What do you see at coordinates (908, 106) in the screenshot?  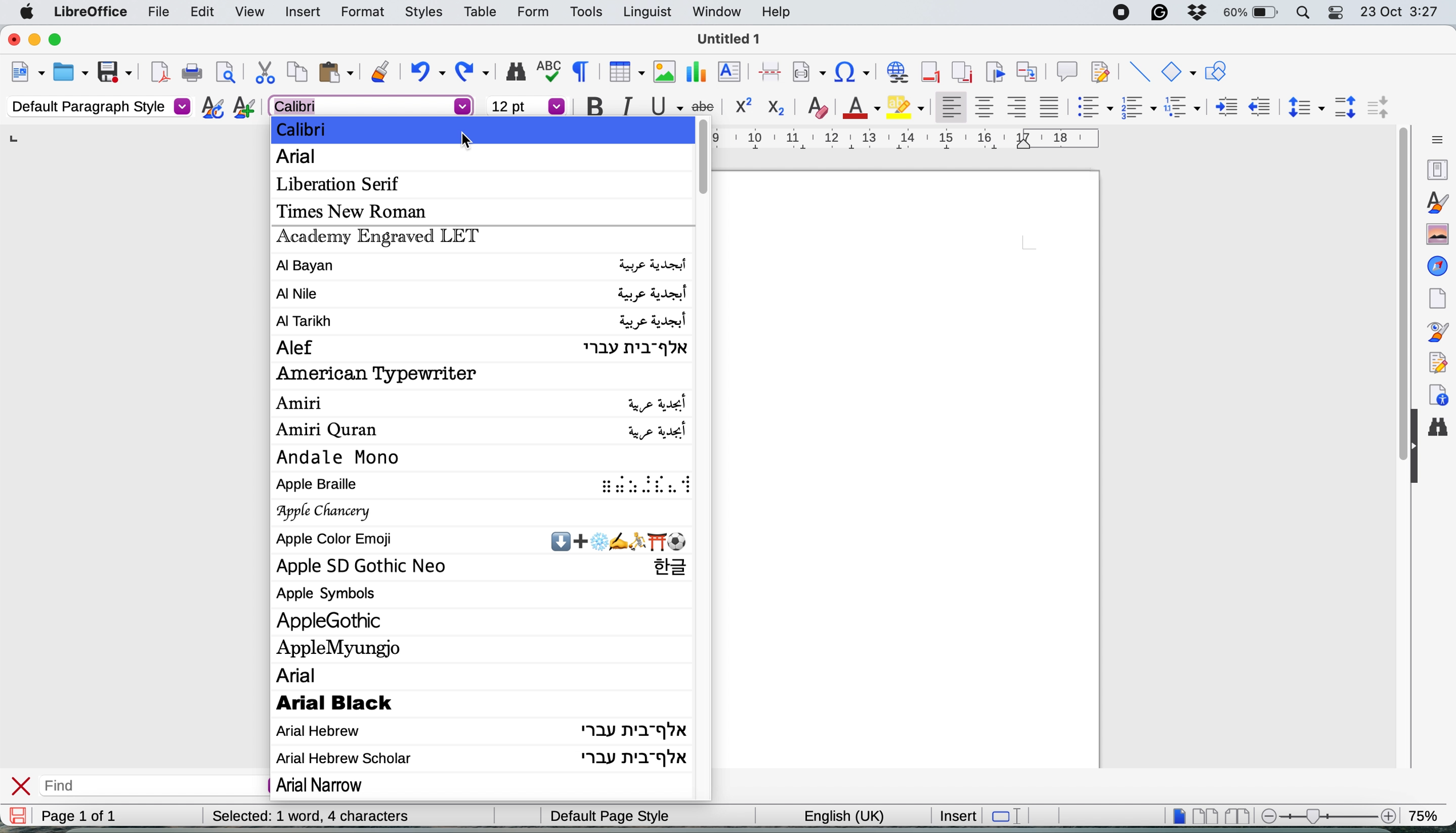 I see `fill color` at bounding box center [908, 106].